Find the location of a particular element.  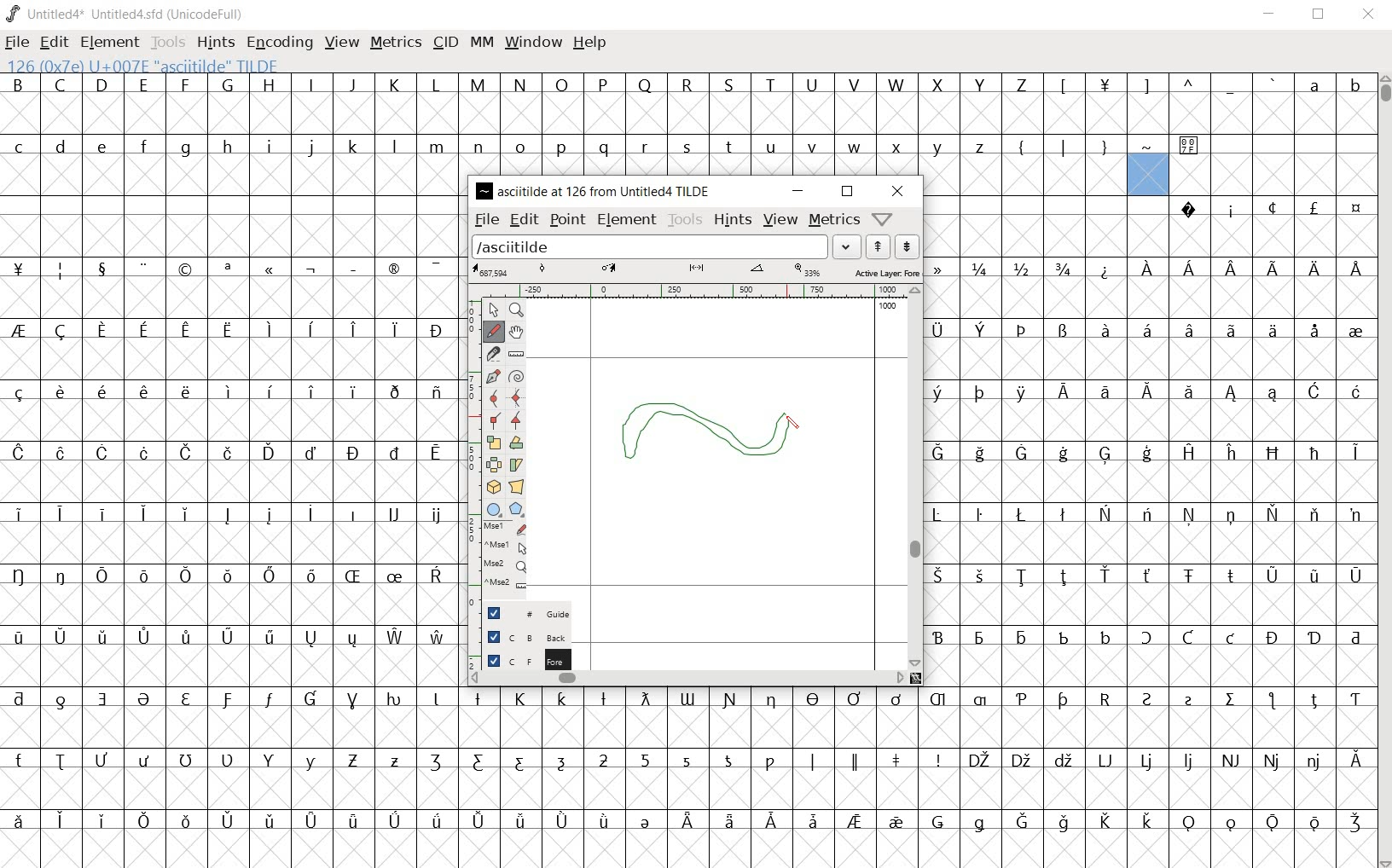

scroll by hand is located at coordinates (517, 333).